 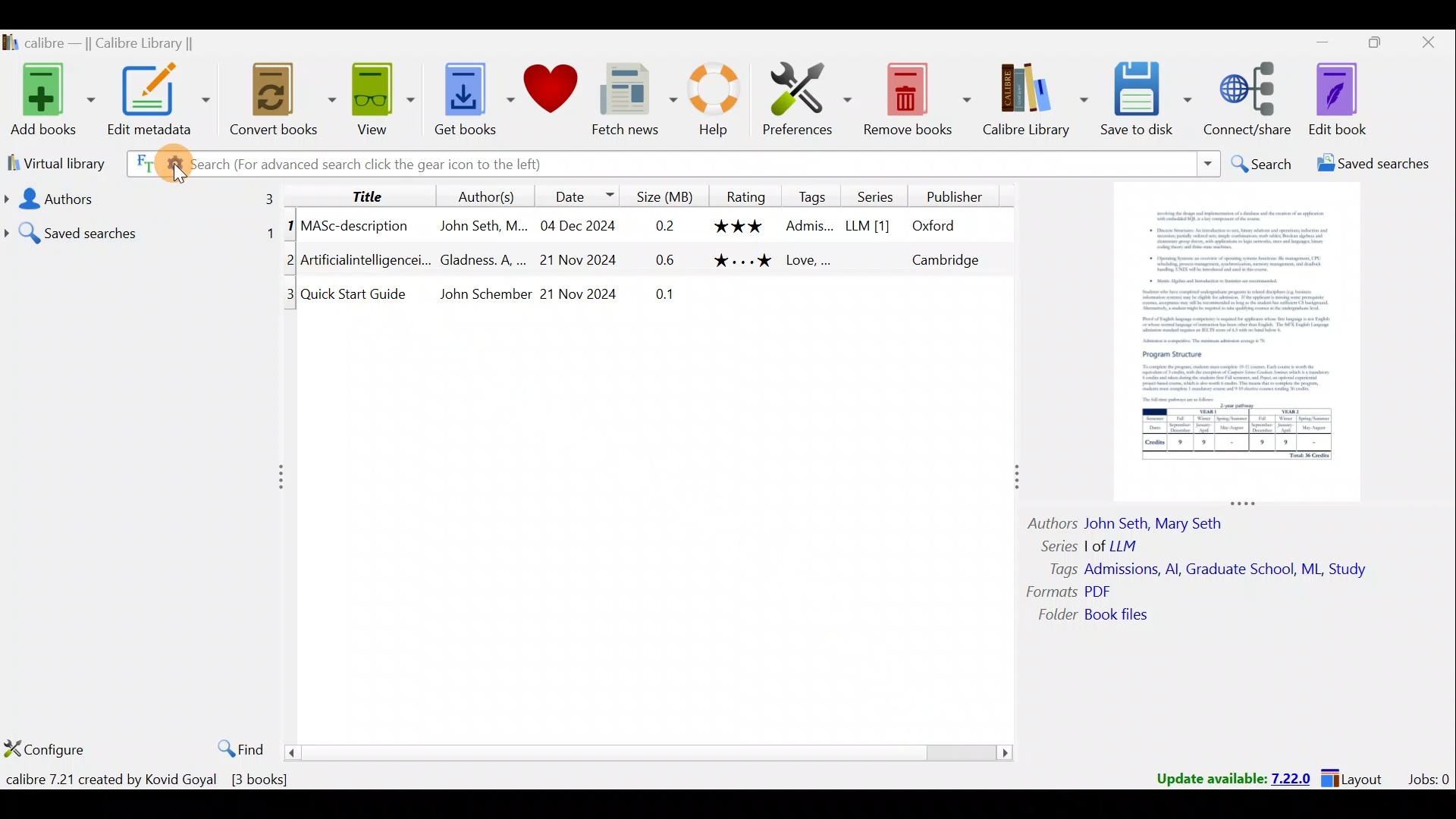 What do you see at coordinates (883, 163) in the screenshot?
I see `Search bar` at bounding box center [883, 163].